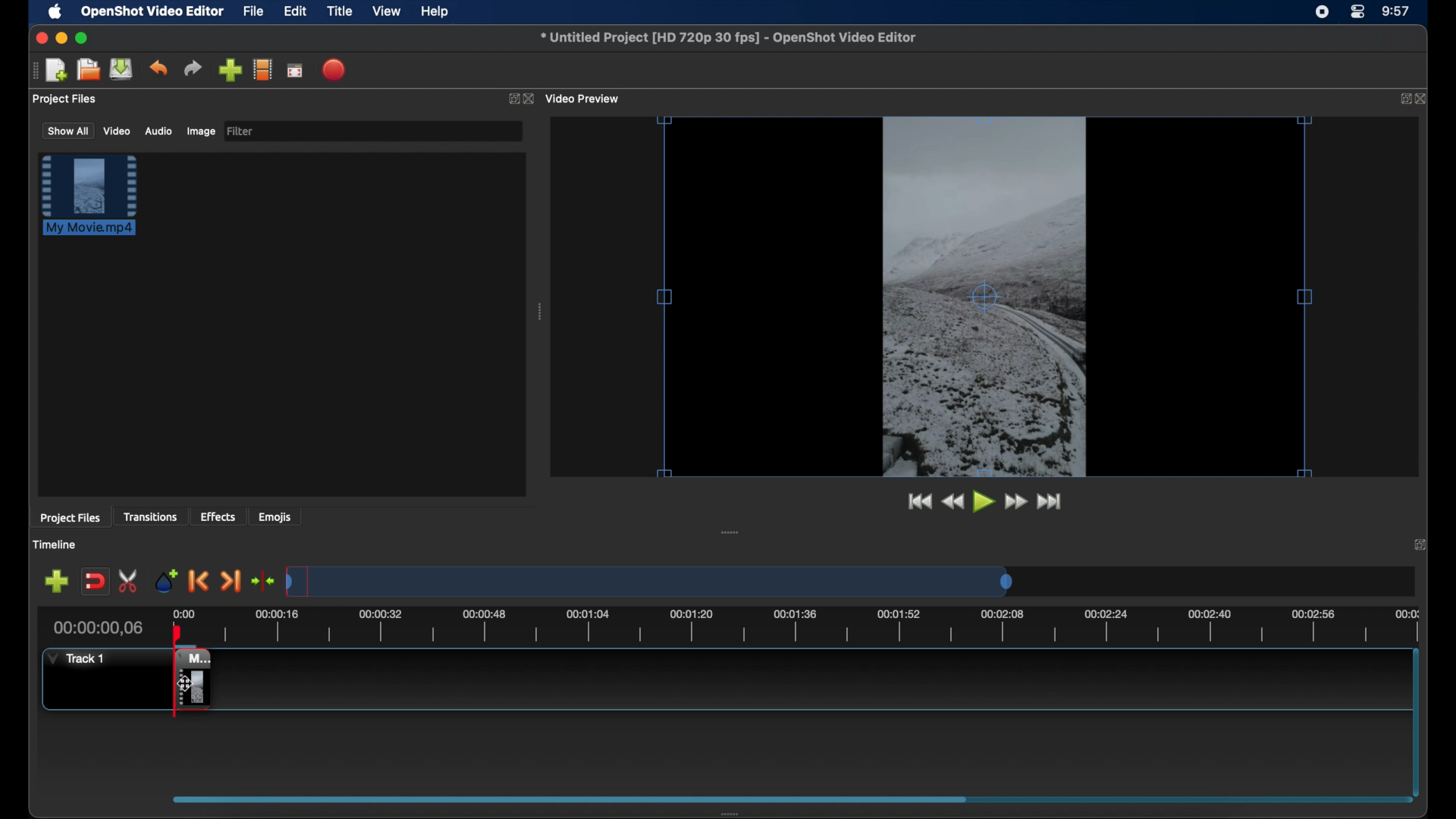  Describe the element at coordinates (67, 130) in the screenshot. I see `show all` at that location.